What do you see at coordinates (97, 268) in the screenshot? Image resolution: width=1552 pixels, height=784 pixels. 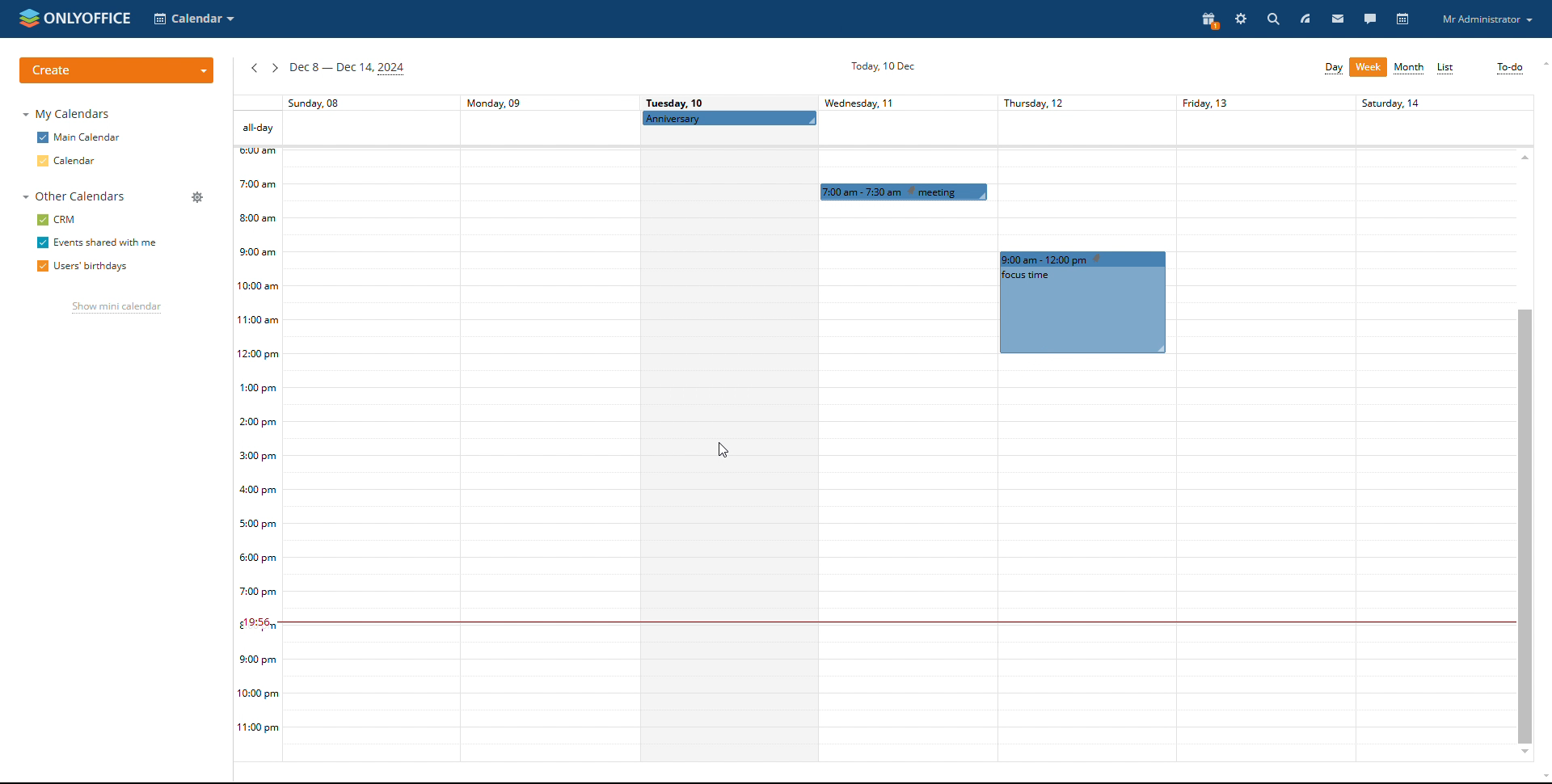 I see `users' birthdays` at bounding box center [97, 268].